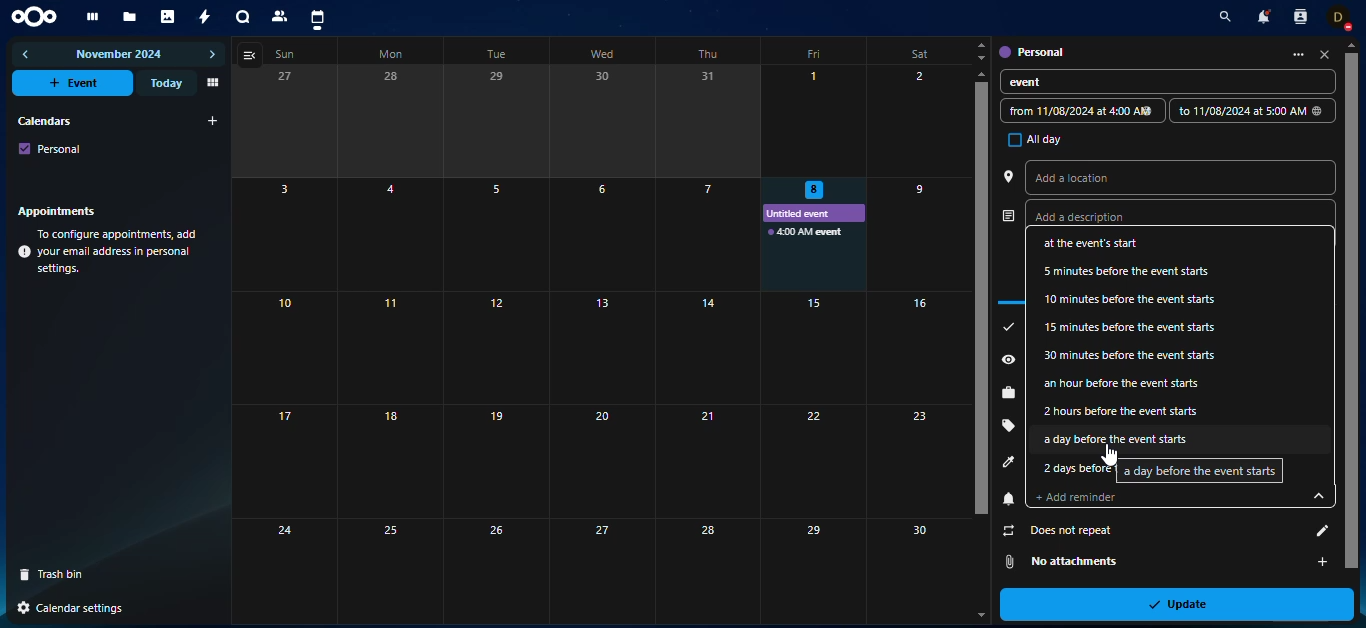 This screenshot has width=1366, height=628. Describe the element at coordinates (51, 148) in the screenshot. I see `personal` at that location.